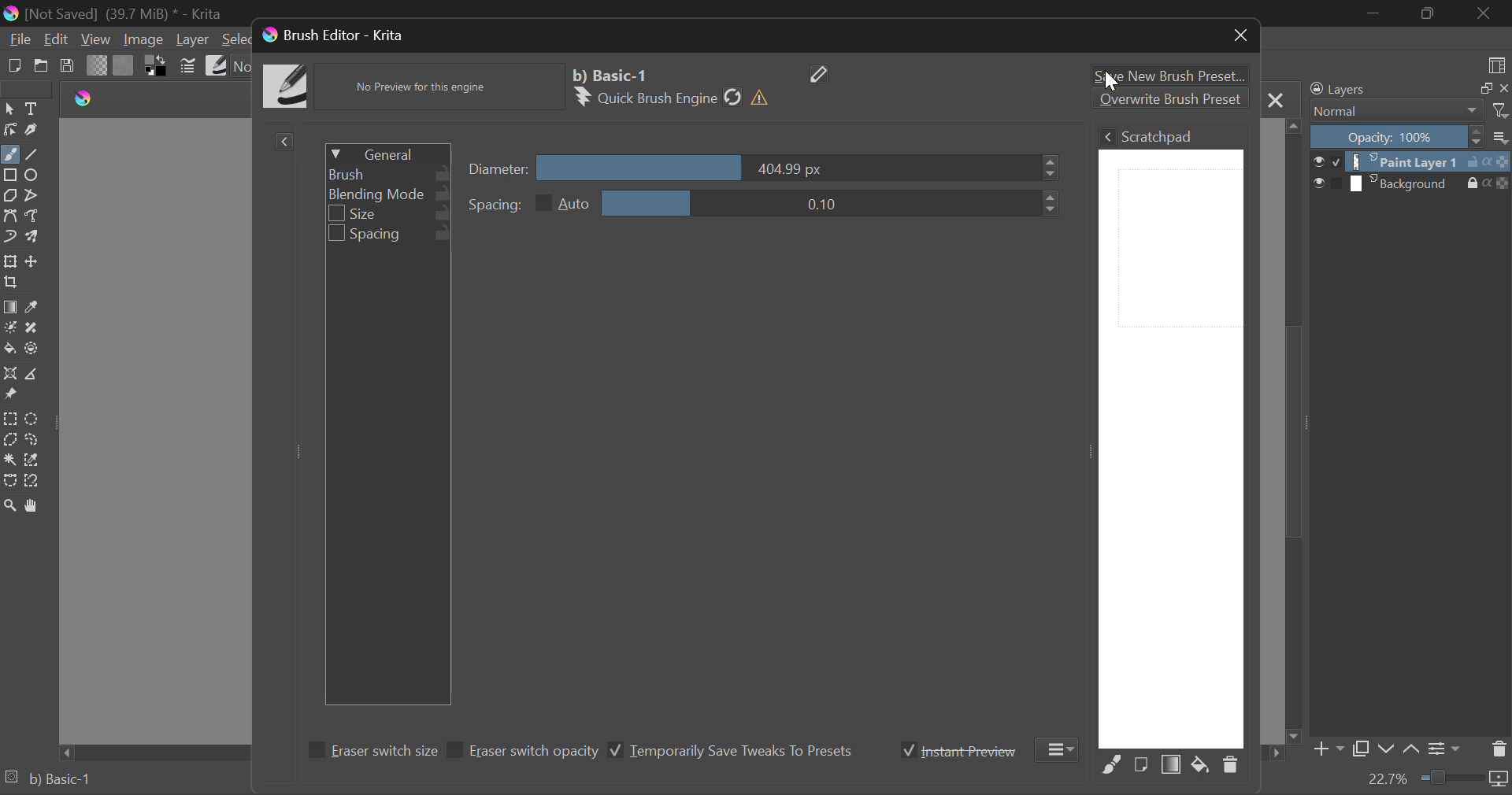  I want to click on Zoom 22.7%, so click(1435, 780).